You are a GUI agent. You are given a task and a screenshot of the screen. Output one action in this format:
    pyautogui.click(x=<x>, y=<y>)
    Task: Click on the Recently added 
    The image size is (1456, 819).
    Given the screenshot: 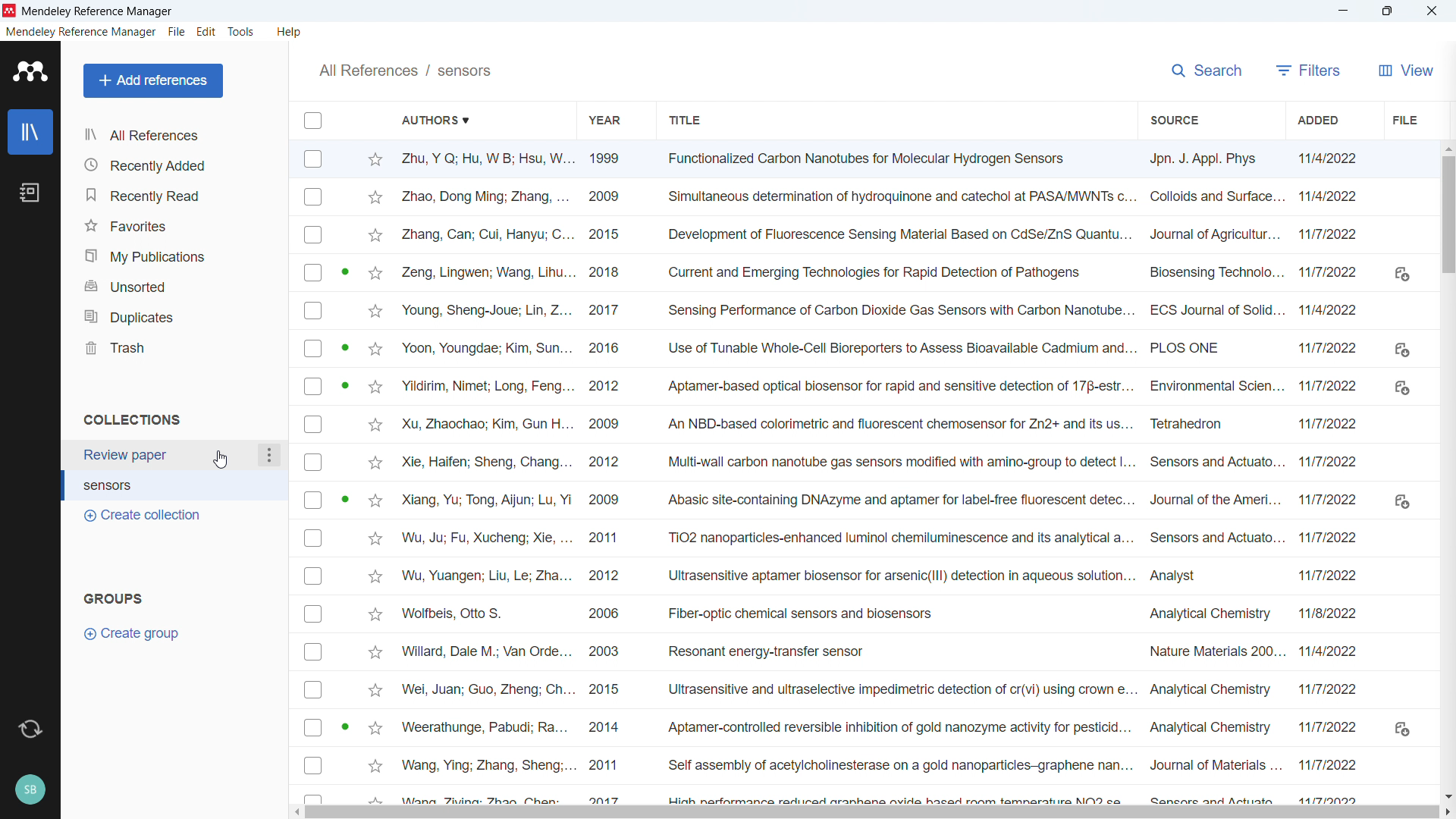 What is the action you would take?
    pyautogui.click(x=178, y=164)
    